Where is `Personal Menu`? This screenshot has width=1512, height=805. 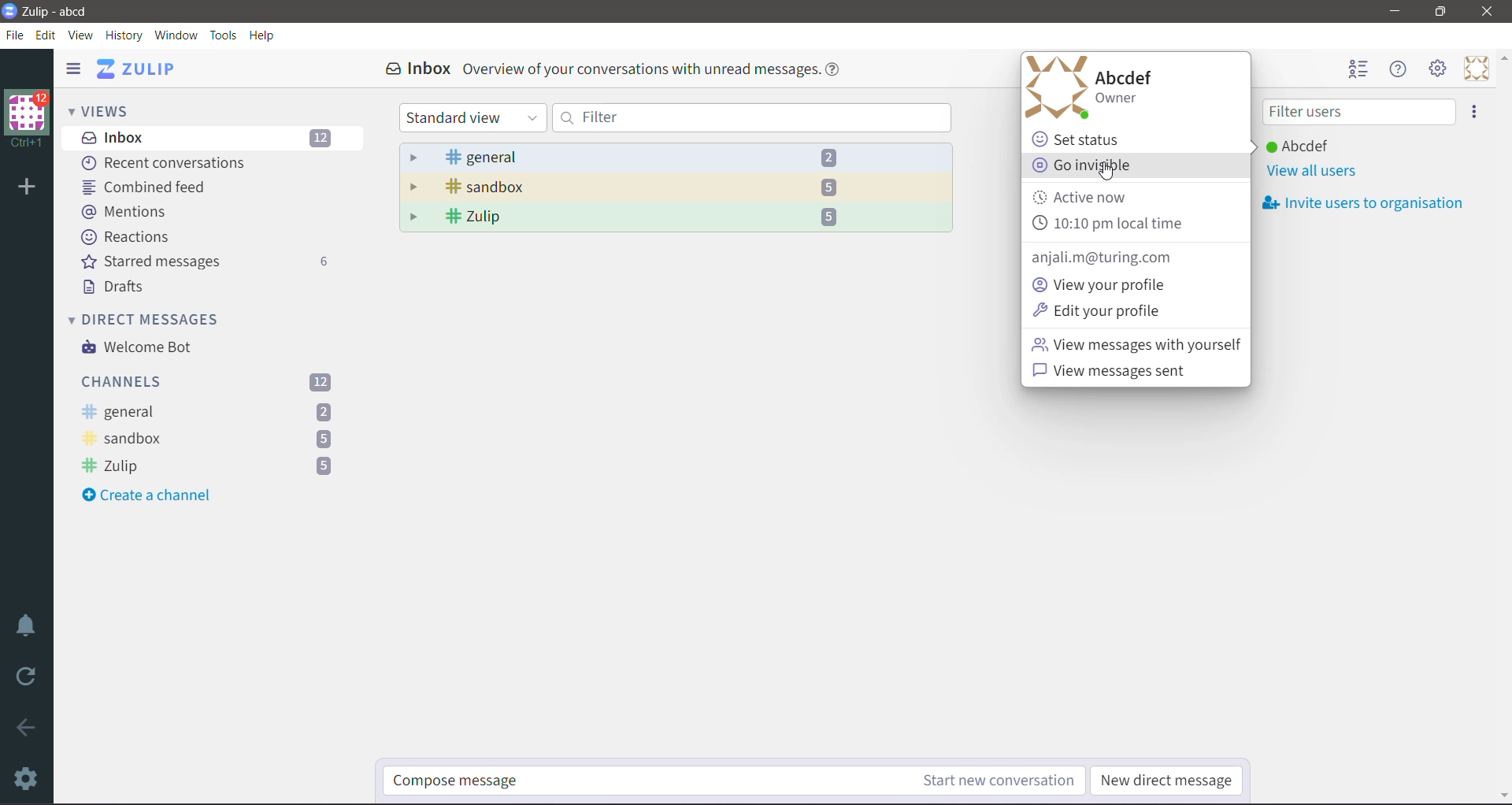
Personal Menu is located at coordinates (1475, 69).